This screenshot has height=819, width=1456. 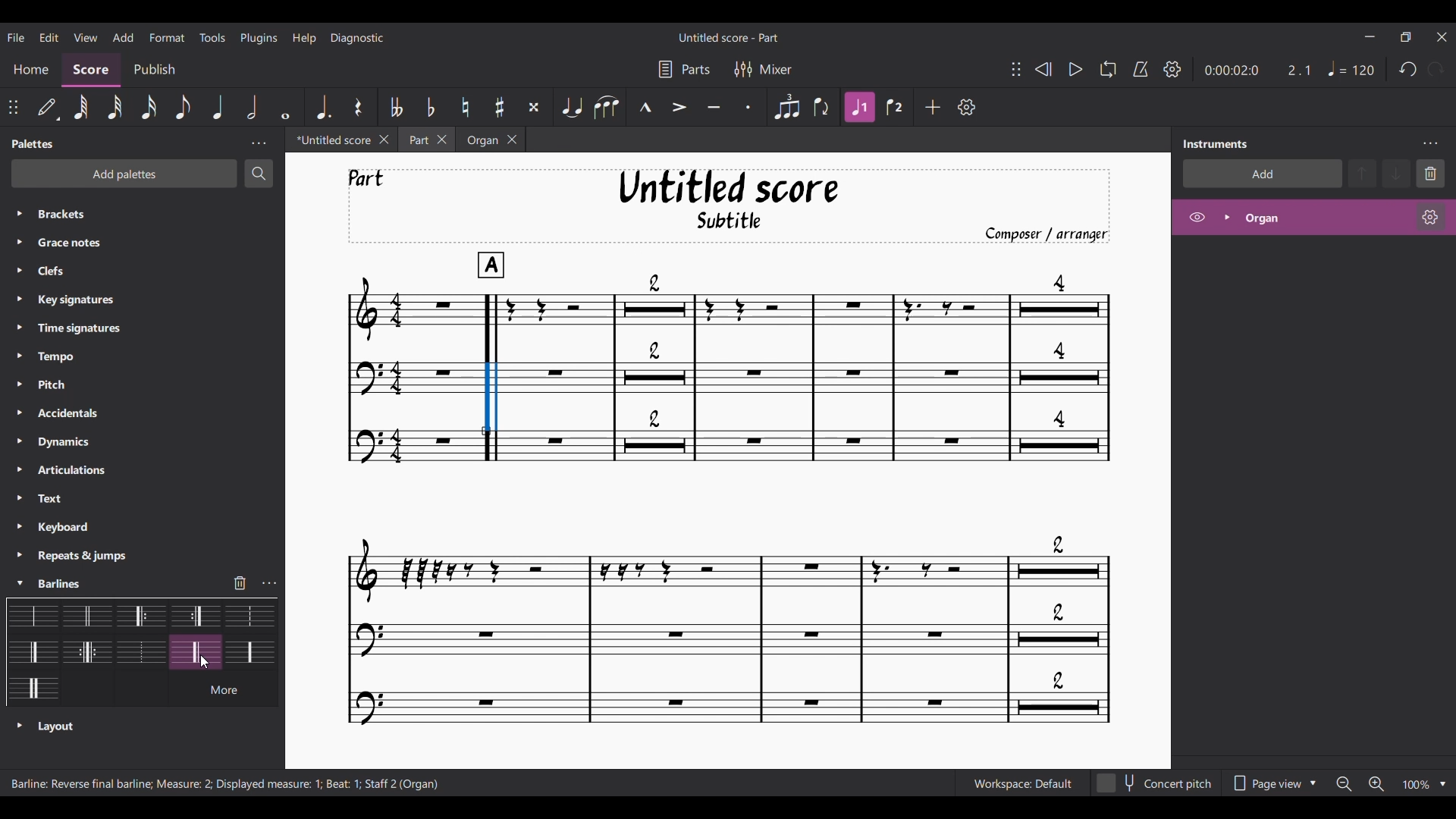 What do you see at coordinates (323, 108) in the screenshot?
I see `Augmentation dot` at bounding box center [323, 108].